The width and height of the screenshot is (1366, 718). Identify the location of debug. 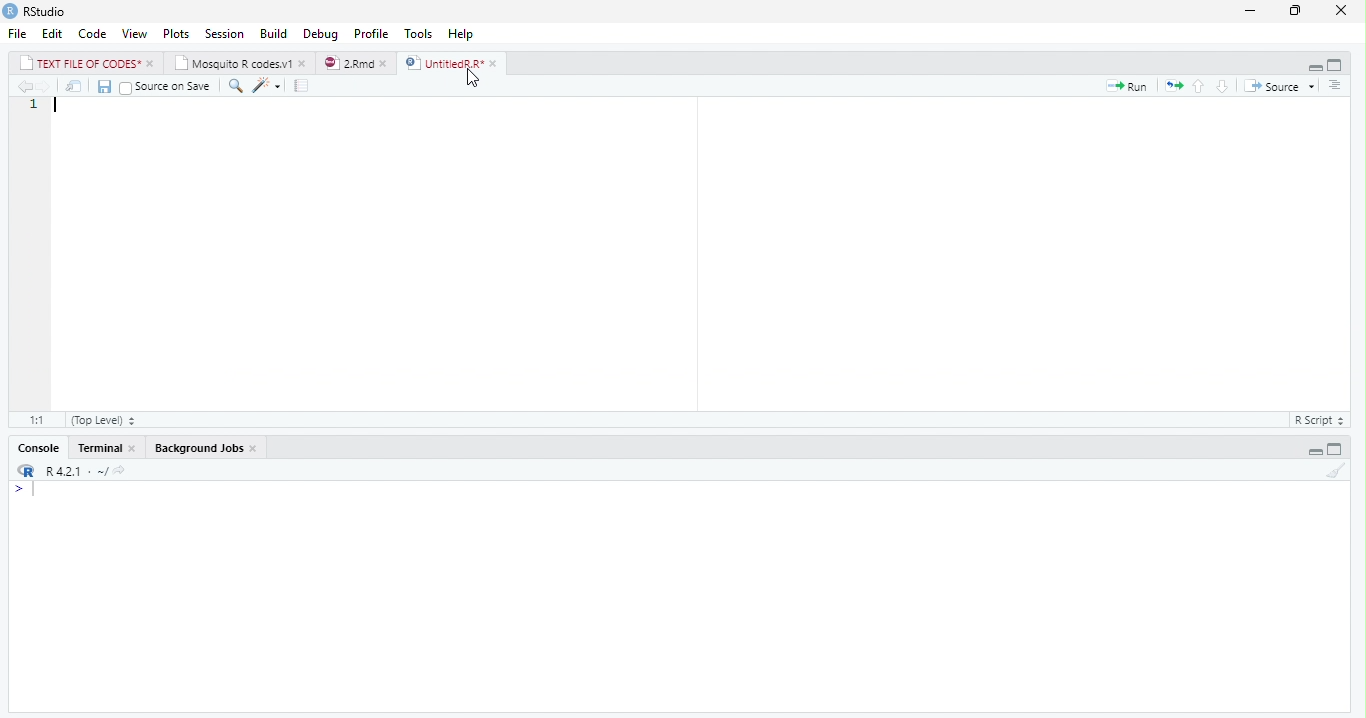
(321, 33).